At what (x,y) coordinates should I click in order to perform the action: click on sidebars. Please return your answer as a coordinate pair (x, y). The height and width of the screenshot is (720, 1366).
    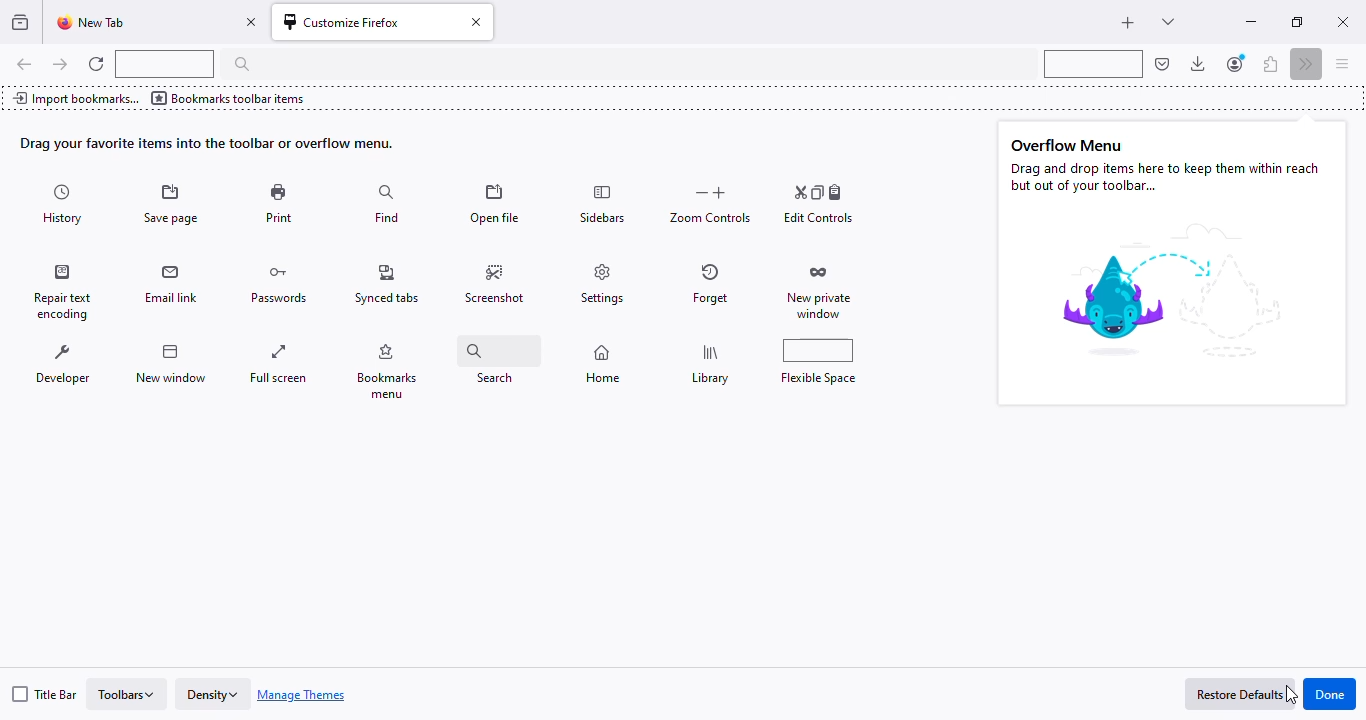
    Looking at the image, I should click on (601, 206).